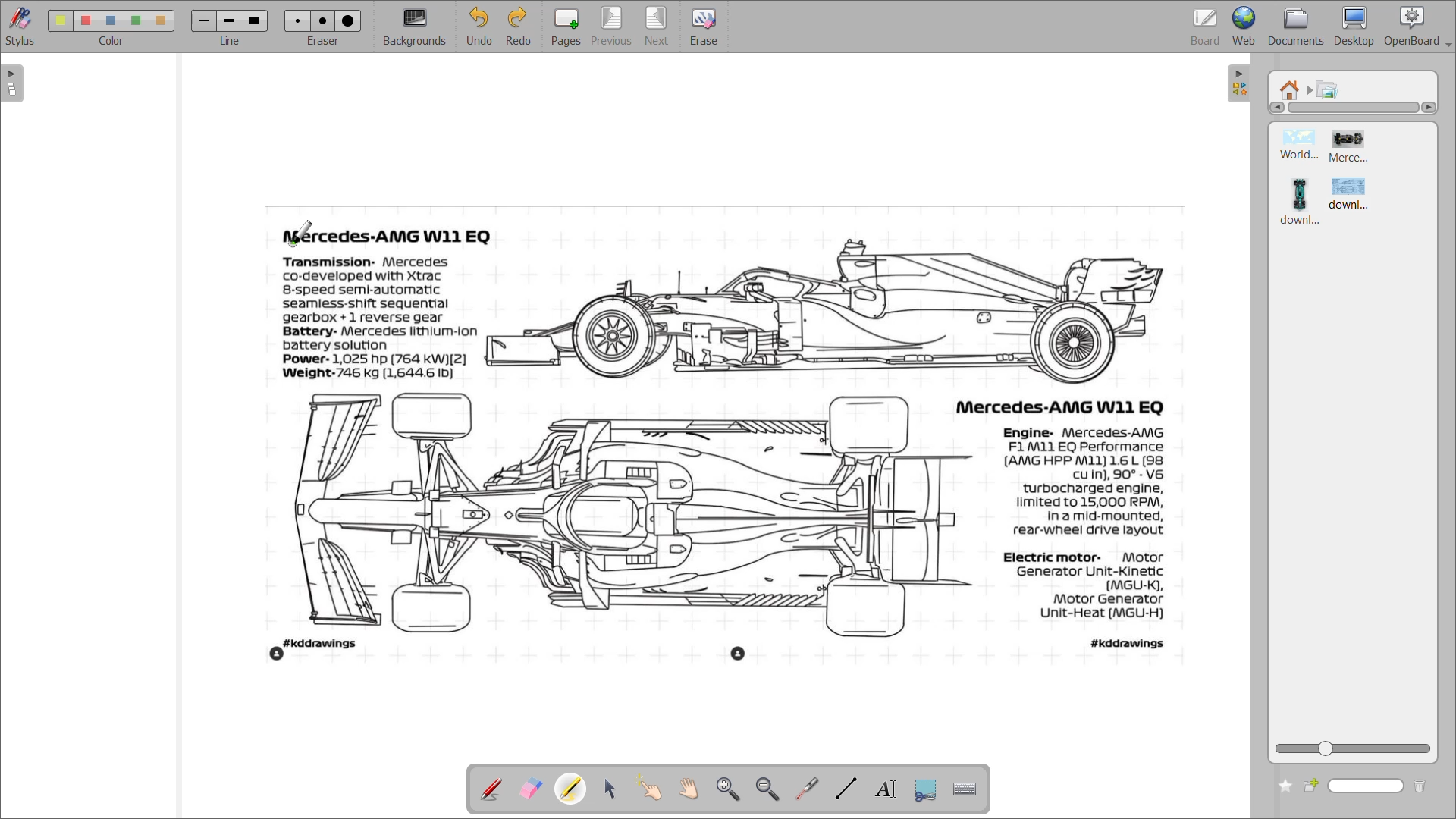  What do you see at coordinates (231, 22) in the screenshot?
I see `line 2` at bounding box center [231, 22].